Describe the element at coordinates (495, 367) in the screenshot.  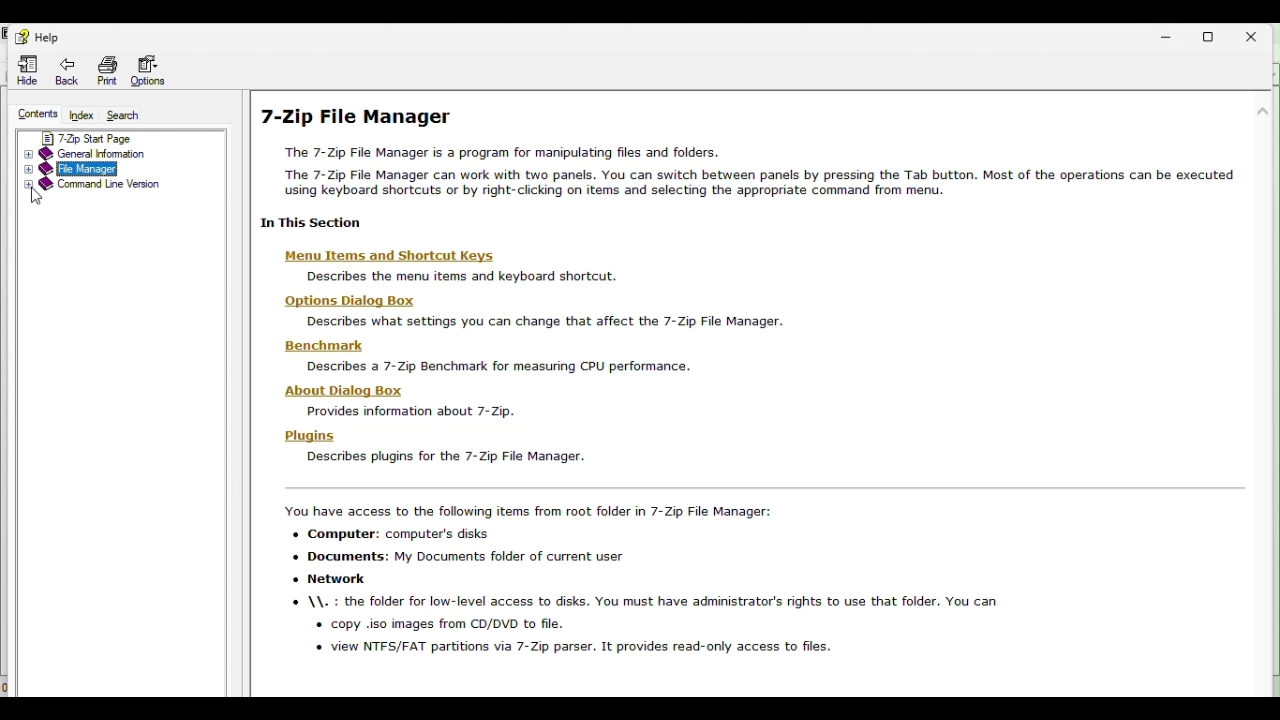
I see `Describes a 7-Zip Benchmark for measuring CPU performance.` at that location.